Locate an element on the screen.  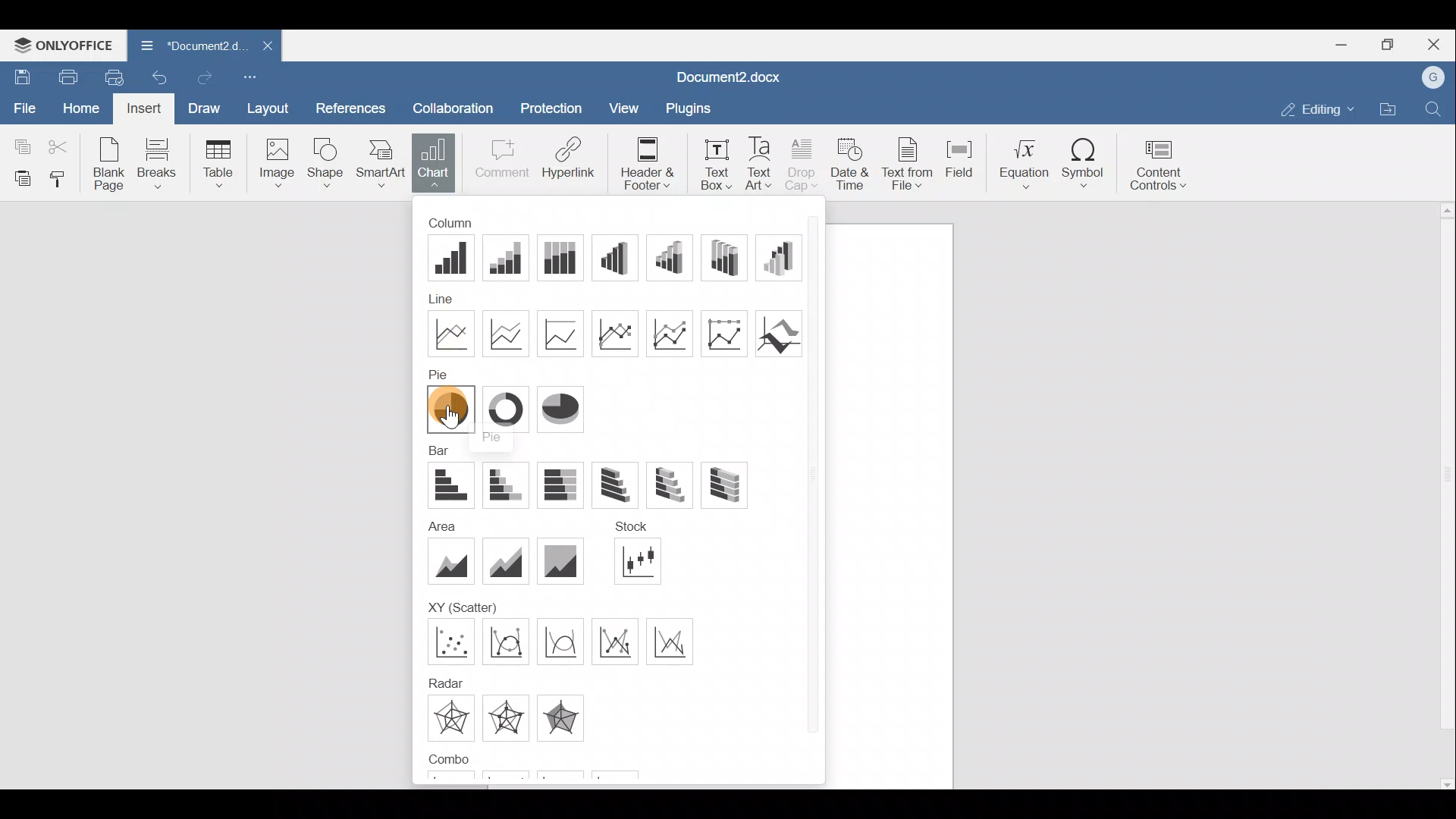
Maximize is located at coordinates (1394, 43).